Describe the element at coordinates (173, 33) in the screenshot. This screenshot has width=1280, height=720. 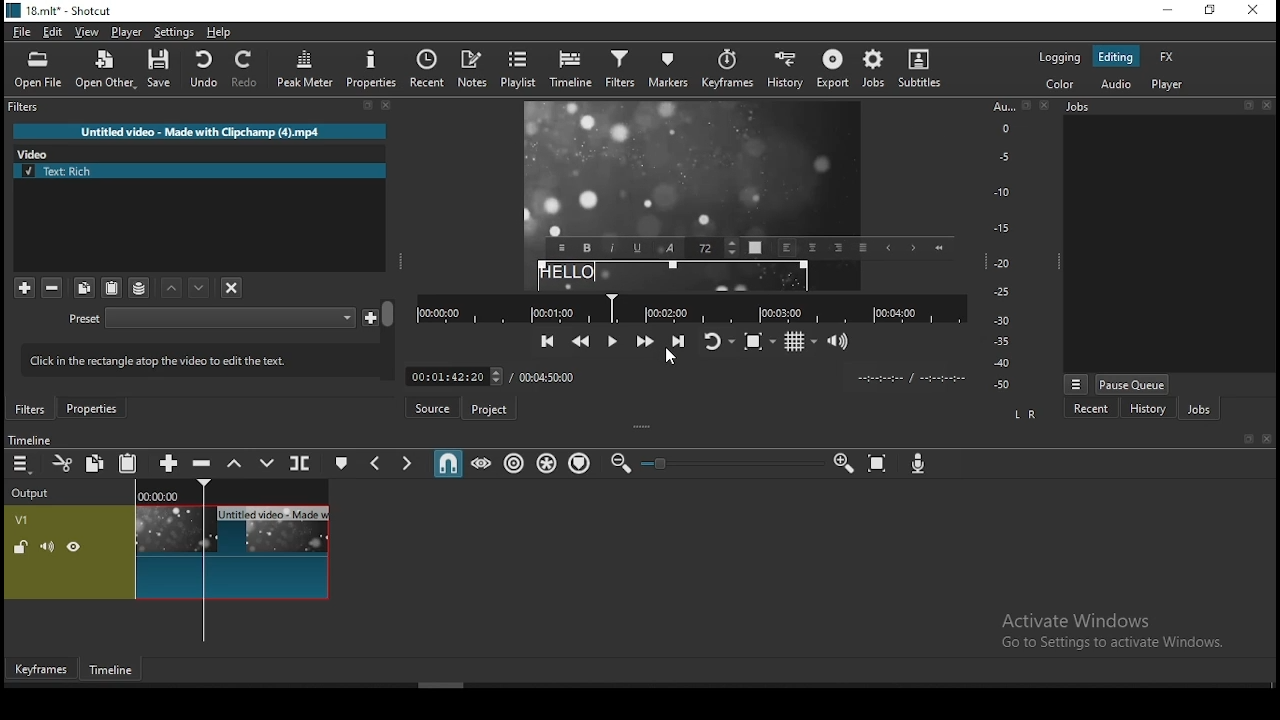
I see `settings` at that location.